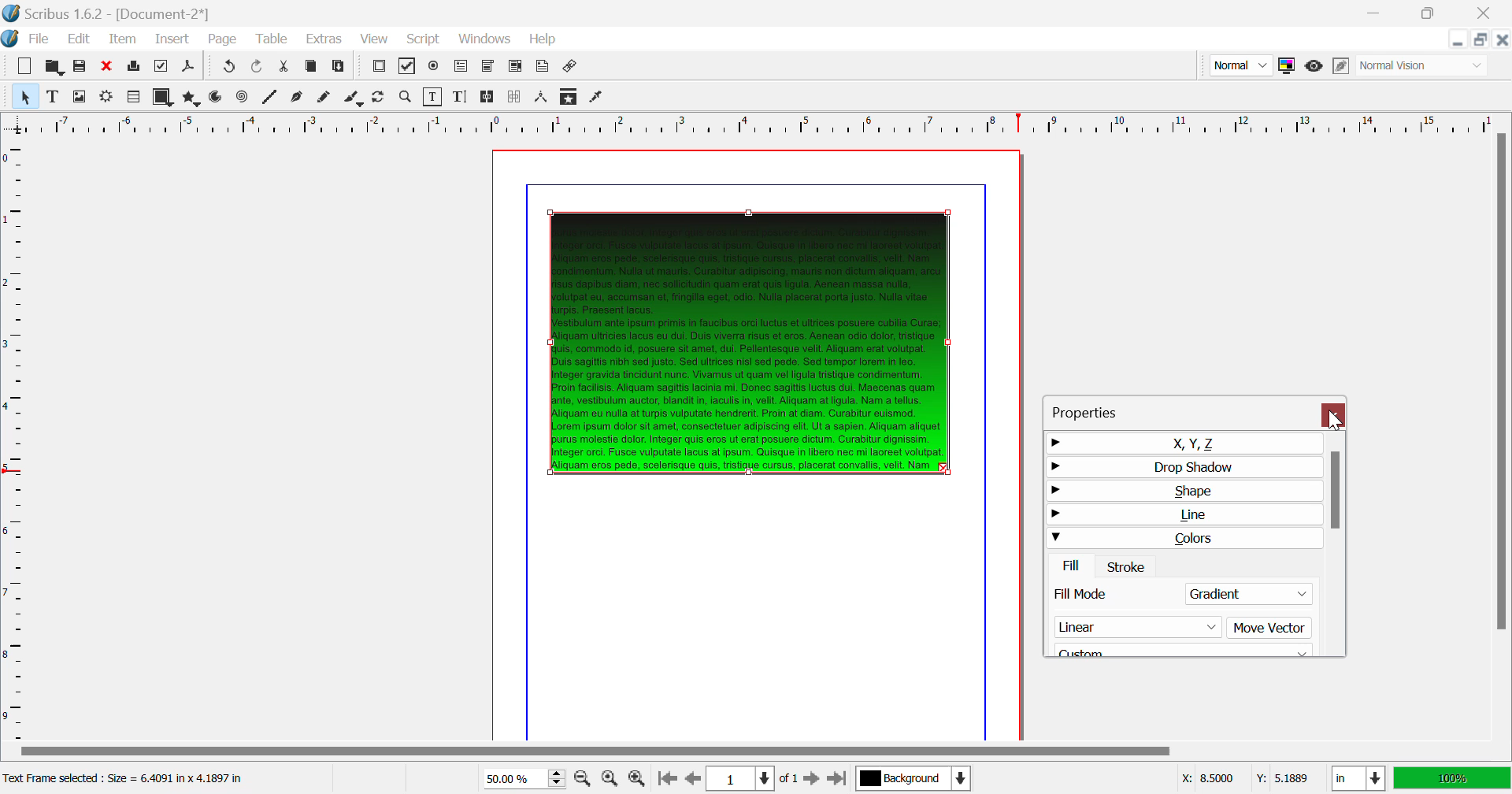  Describe the element at coordinates (1286, 65) in the screenshot. I see `Toggle Color Management` at that location.